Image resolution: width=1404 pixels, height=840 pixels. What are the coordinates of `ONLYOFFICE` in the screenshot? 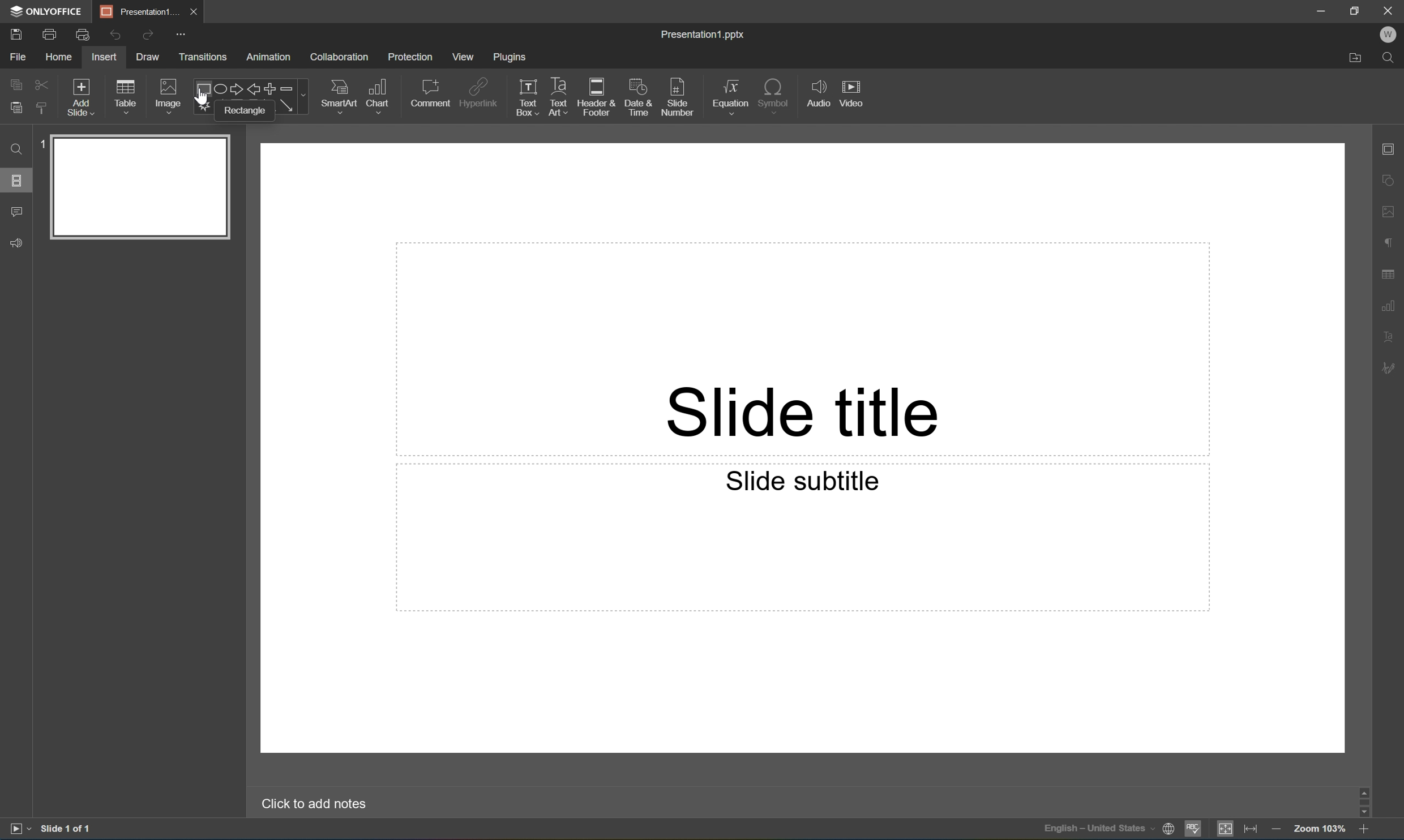 It's located at (48, 11).